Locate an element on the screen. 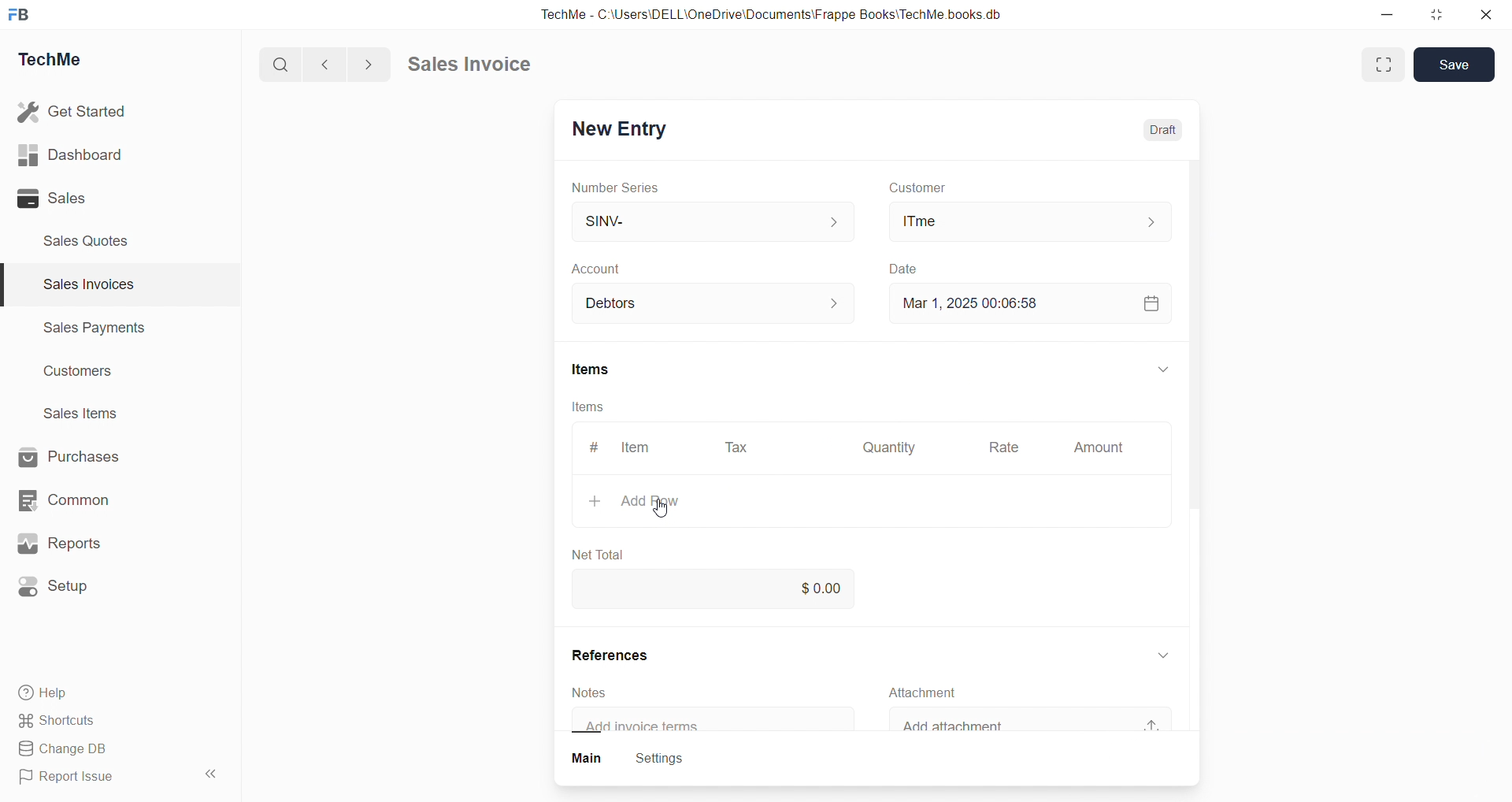  Attachment is located at coordinates (935, 692).